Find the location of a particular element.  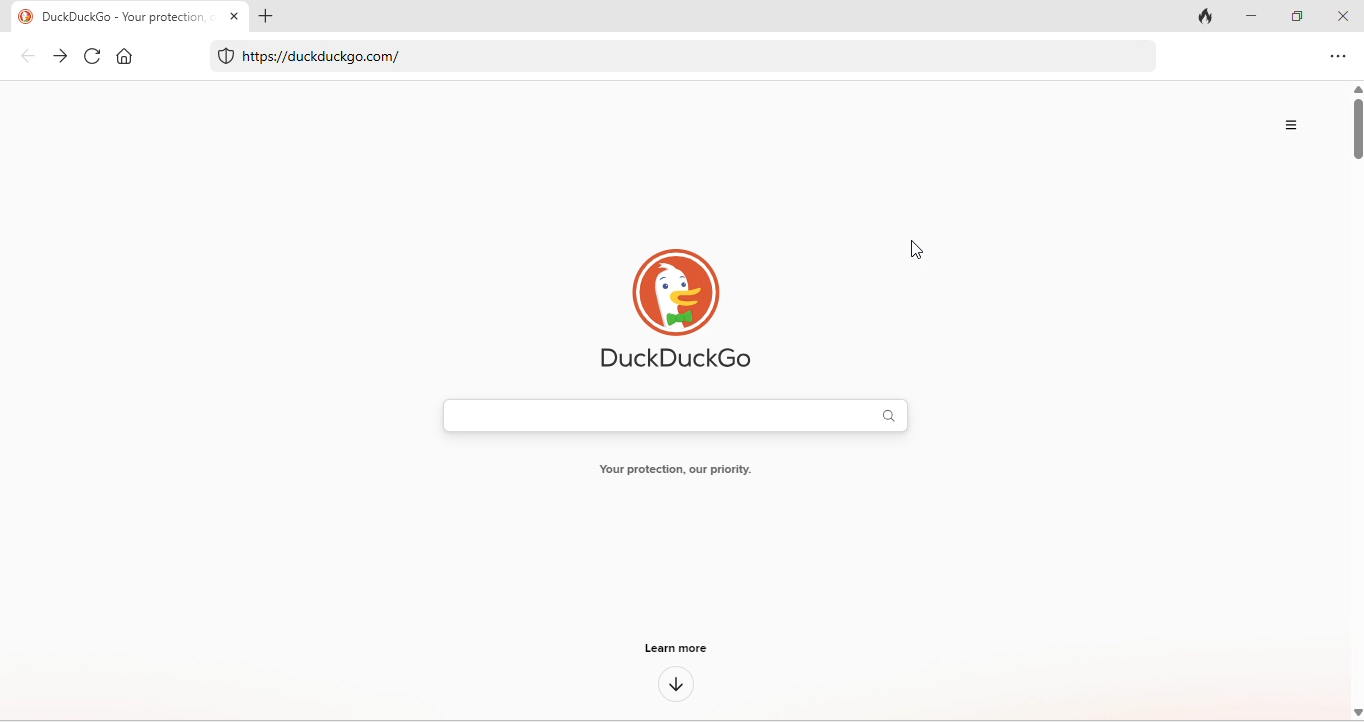

cursor is located at coordinates (913, 250).